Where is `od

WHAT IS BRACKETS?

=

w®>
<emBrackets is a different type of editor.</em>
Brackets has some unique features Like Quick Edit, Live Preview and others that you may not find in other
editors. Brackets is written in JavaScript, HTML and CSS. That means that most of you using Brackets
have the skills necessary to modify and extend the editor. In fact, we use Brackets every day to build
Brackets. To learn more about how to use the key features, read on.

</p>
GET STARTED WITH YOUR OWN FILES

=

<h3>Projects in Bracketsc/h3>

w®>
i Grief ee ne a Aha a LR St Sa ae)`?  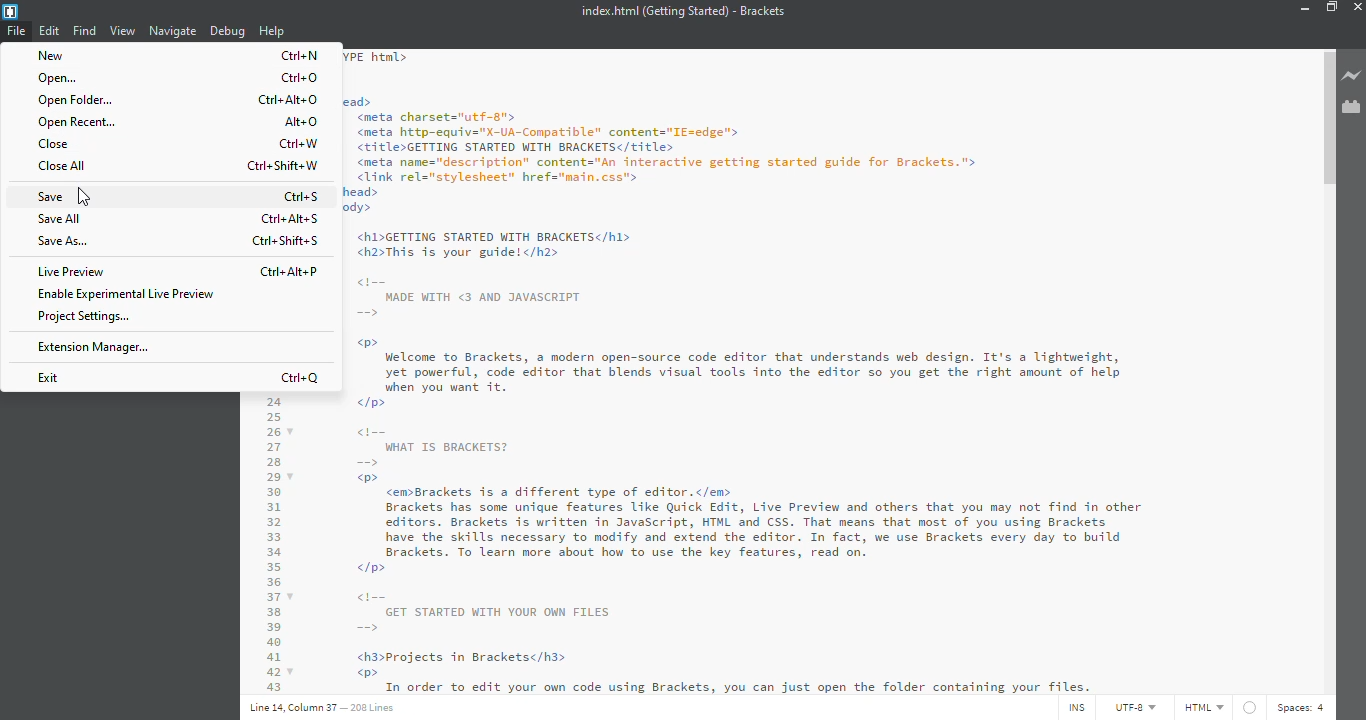
od

WHAT IS BRACKETS?

=

w®>
<emBrackets is a different type of editor.</em>
Brackets has some unique features Like Quick Edit, Live Preview and others that you may not find in other
editors. Brackets is written in JavaScript, HTML and CSS. That means that most of you using Brackets
have the skills necessary to modify and extend the editor. In fact, we use Brackets every day to build
Brackets. To learn more about how to use the key features, read on.

</p>
GET STARTED WITH YOUR OWN FILES

=

<h3>Projects in Bracketsc/h3>

w®>
i Grief ee ne a Aha a LR St Sa ae) is located at coordinates (748, 546).